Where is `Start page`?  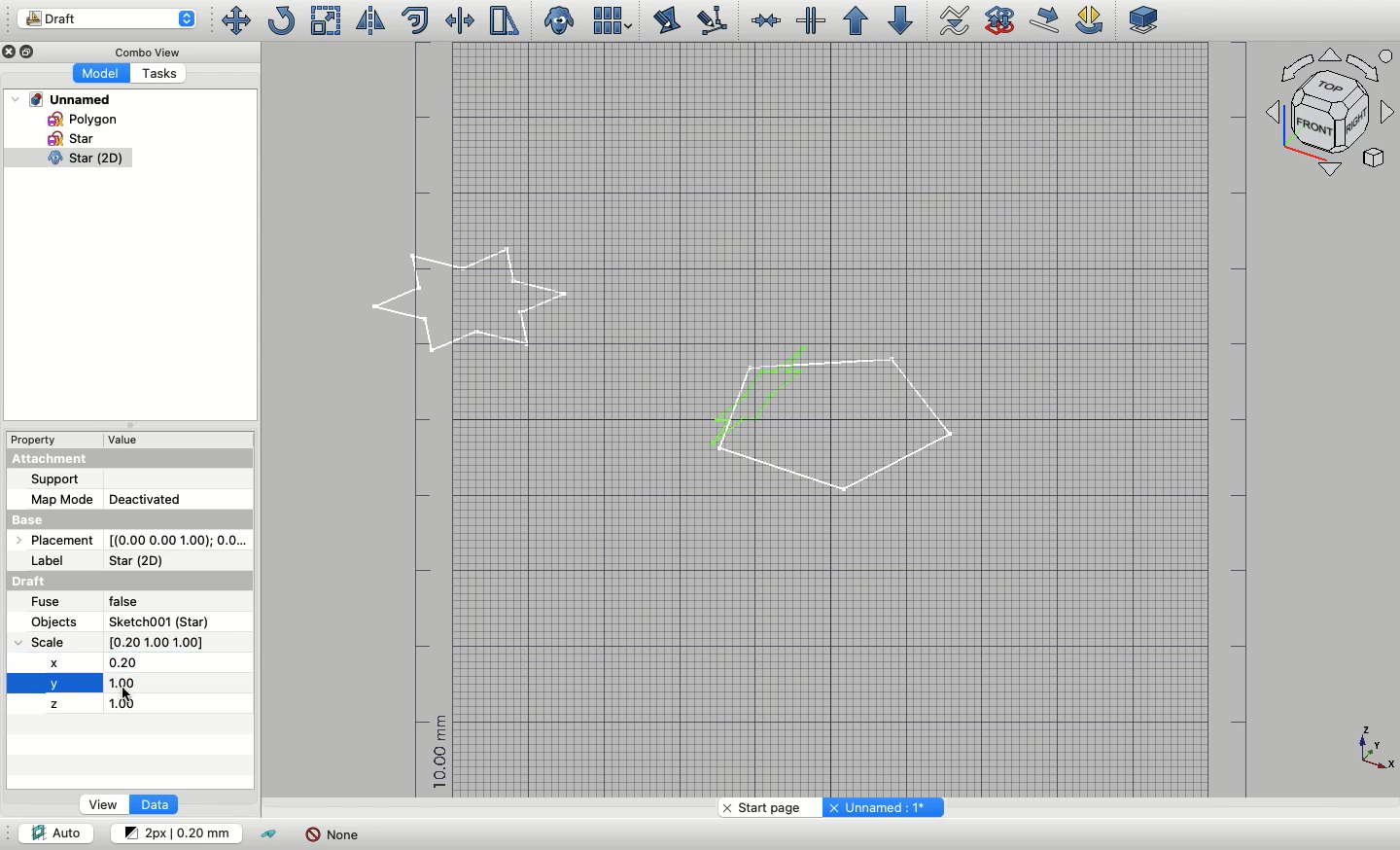 Start page is located at coordinates (766, 807).